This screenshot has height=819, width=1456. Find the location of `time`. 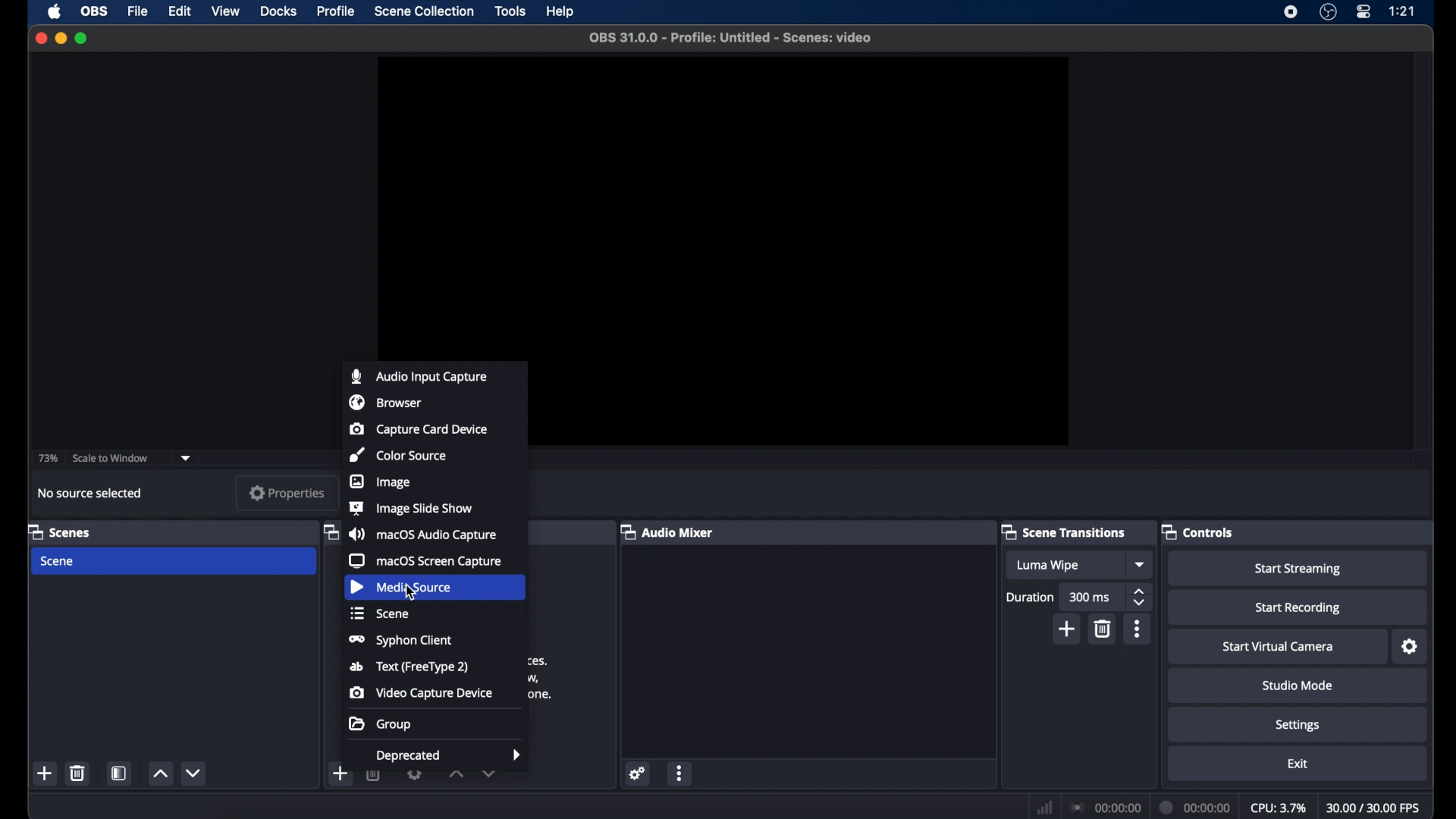

time is located at coordinates (1401, 11).